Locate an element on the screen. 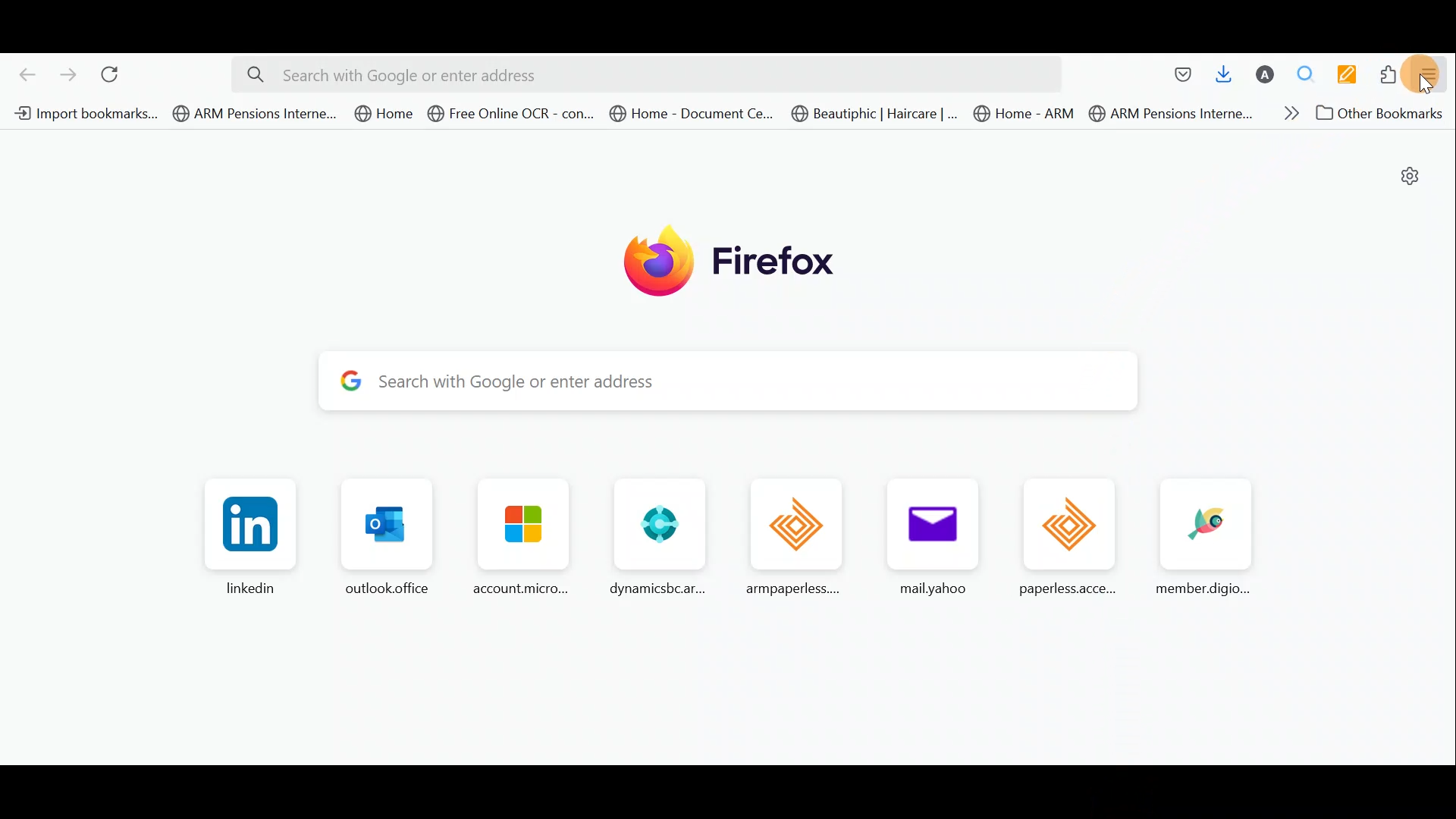 Image resolution: width=1456 pixels, height=819 pixels. Reload current page is located at coordinates (116, 72).